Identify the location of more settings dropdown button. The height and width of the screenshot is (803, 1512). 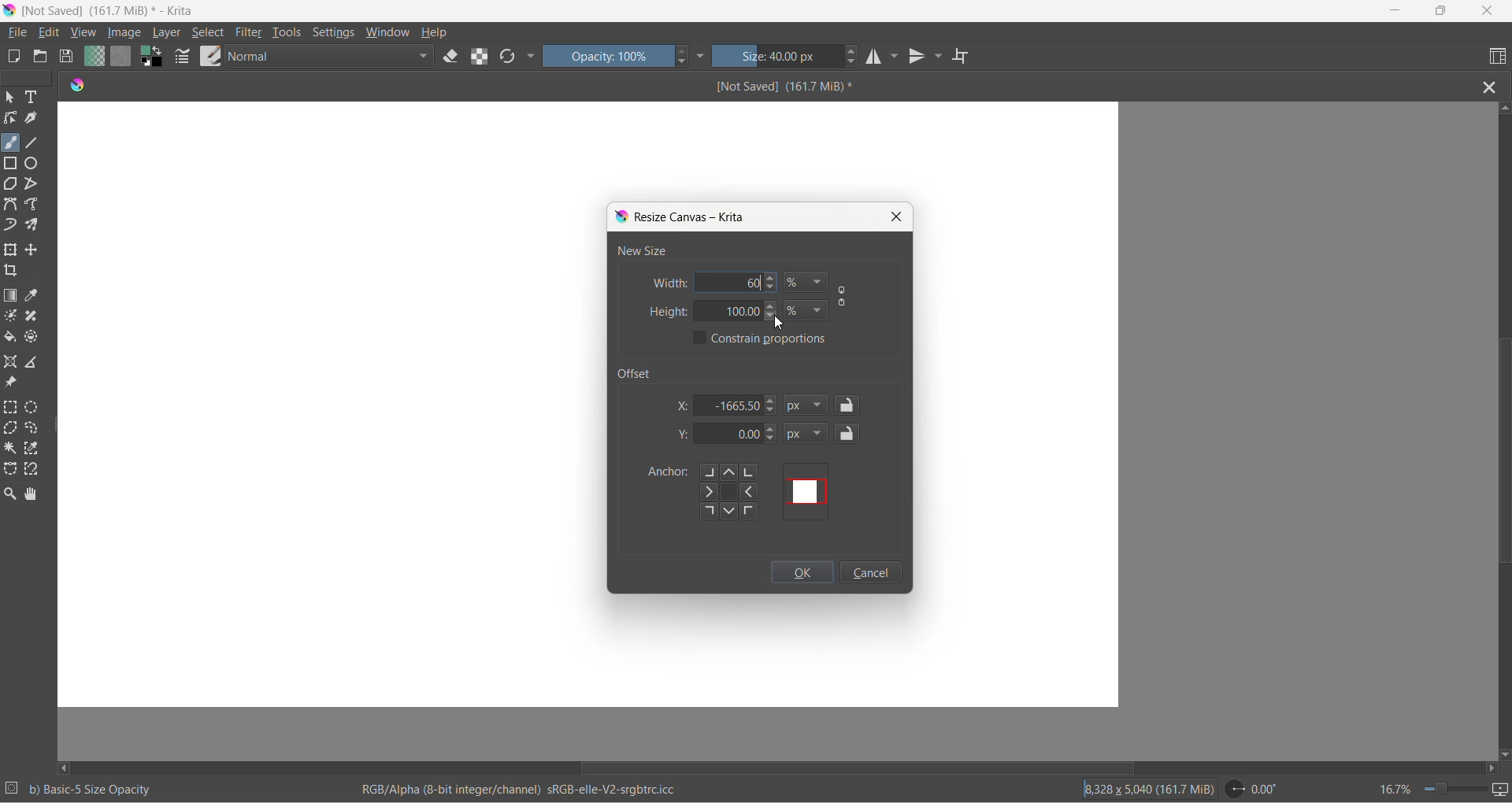
(702, 56).